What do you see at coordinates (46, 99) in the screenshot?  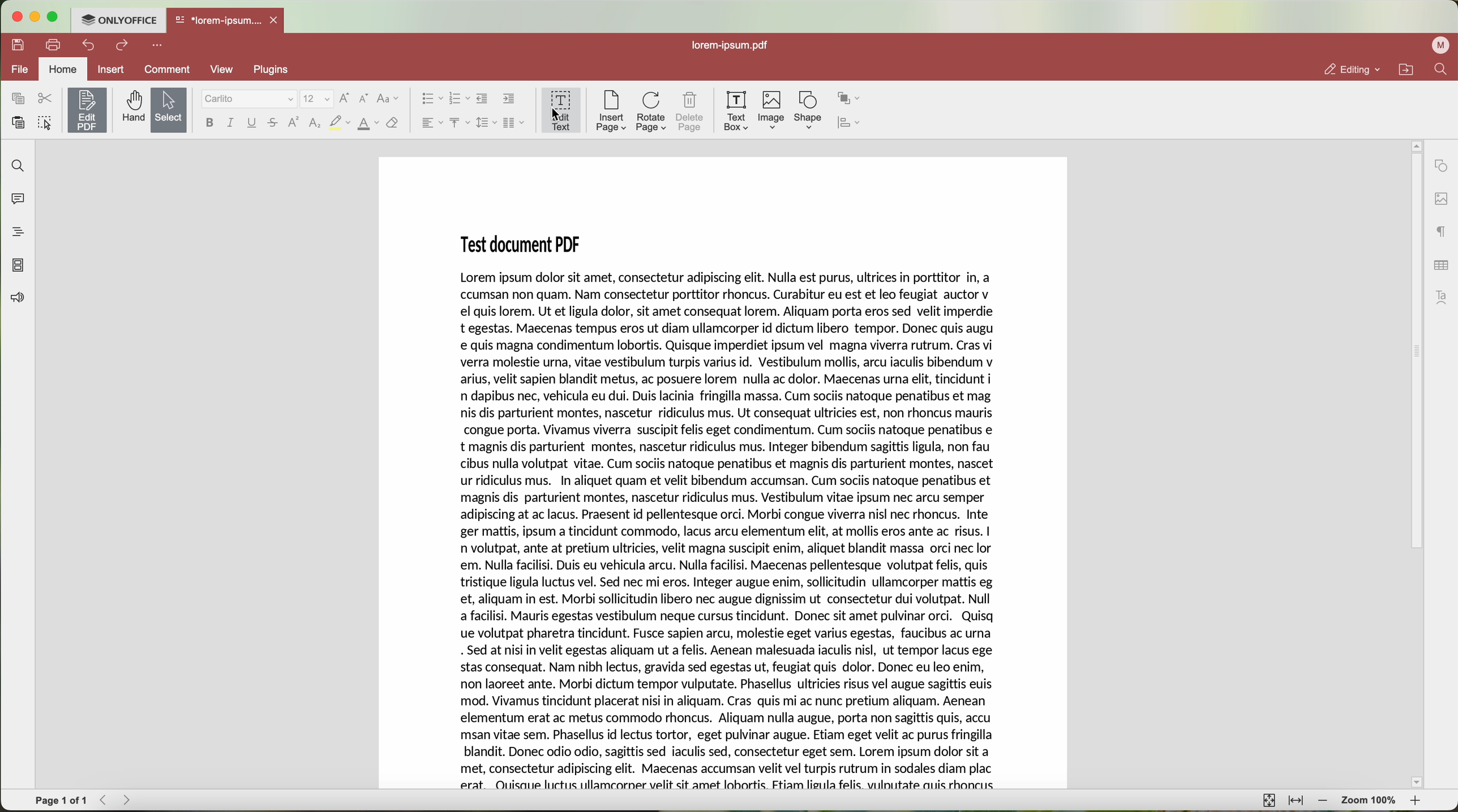 I see `cut` at bounding box center [46, 99].